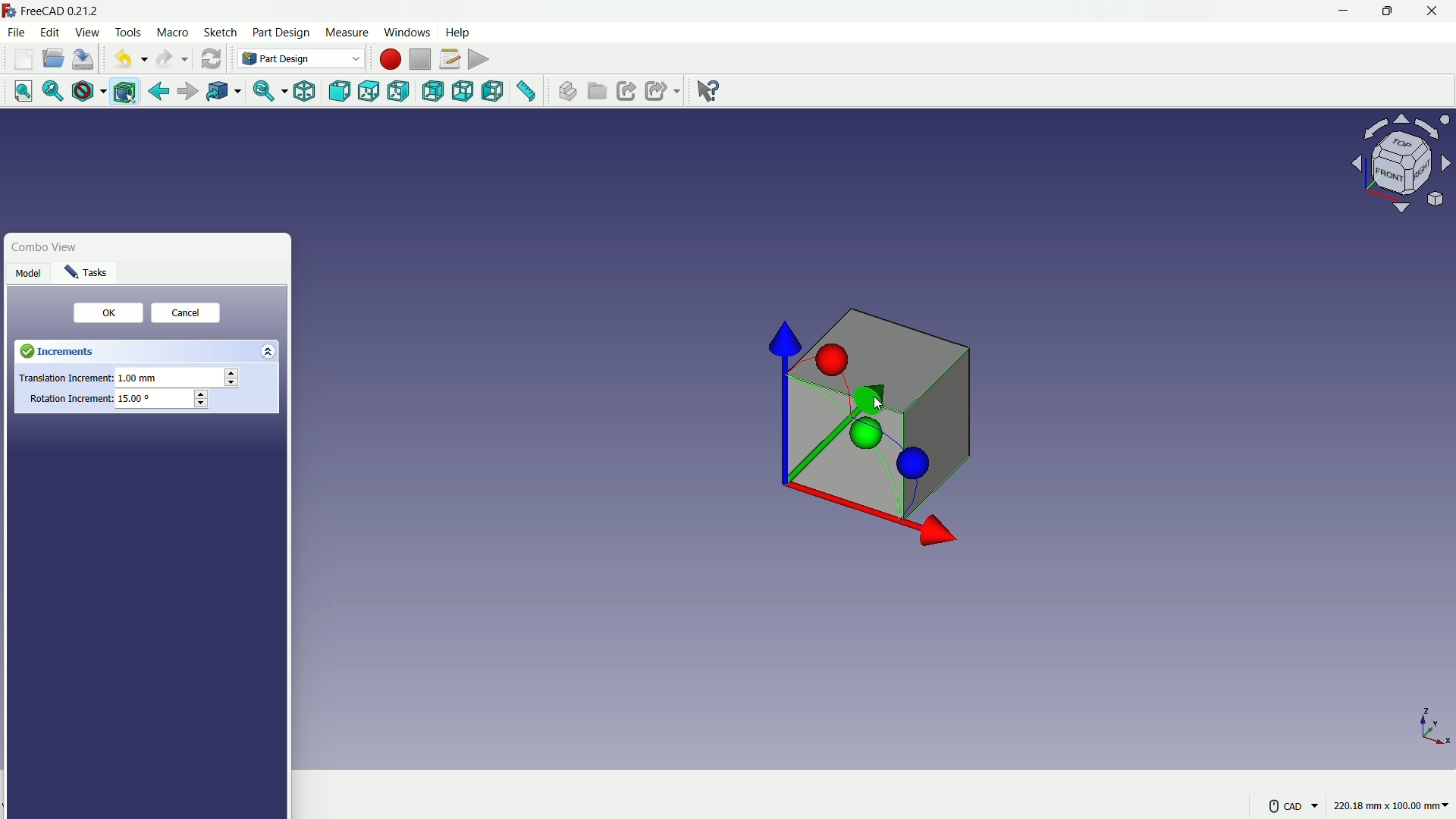  What do you see at coordinates (882, 423) in the screenshot?
I see `cube with axis` at bounding box center [882, 423].